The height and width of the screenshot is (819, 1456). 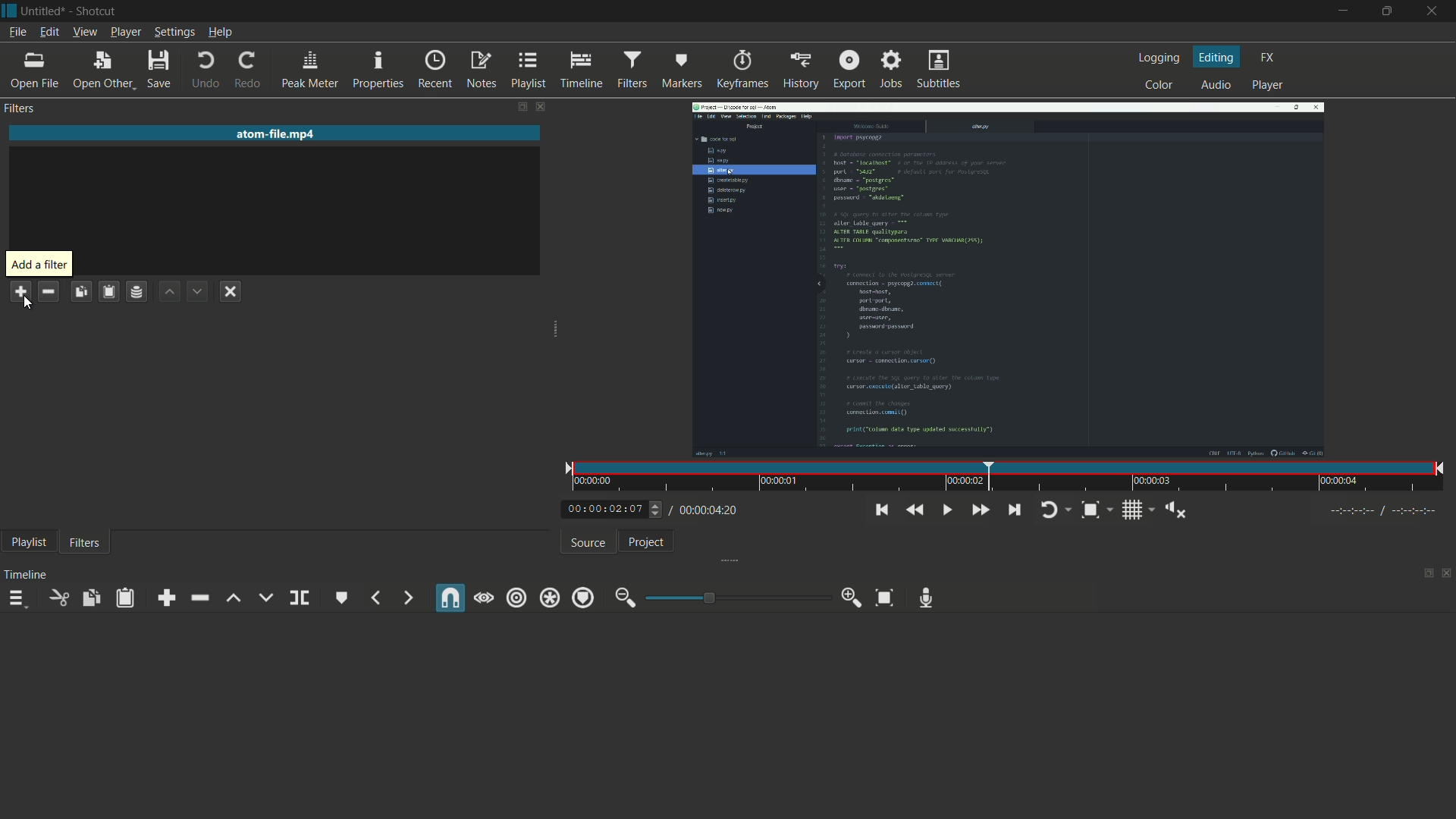 What do you see at coordinates (516, 599) in the screenshot?
I see `ripple` at bounding box center [516, 599].